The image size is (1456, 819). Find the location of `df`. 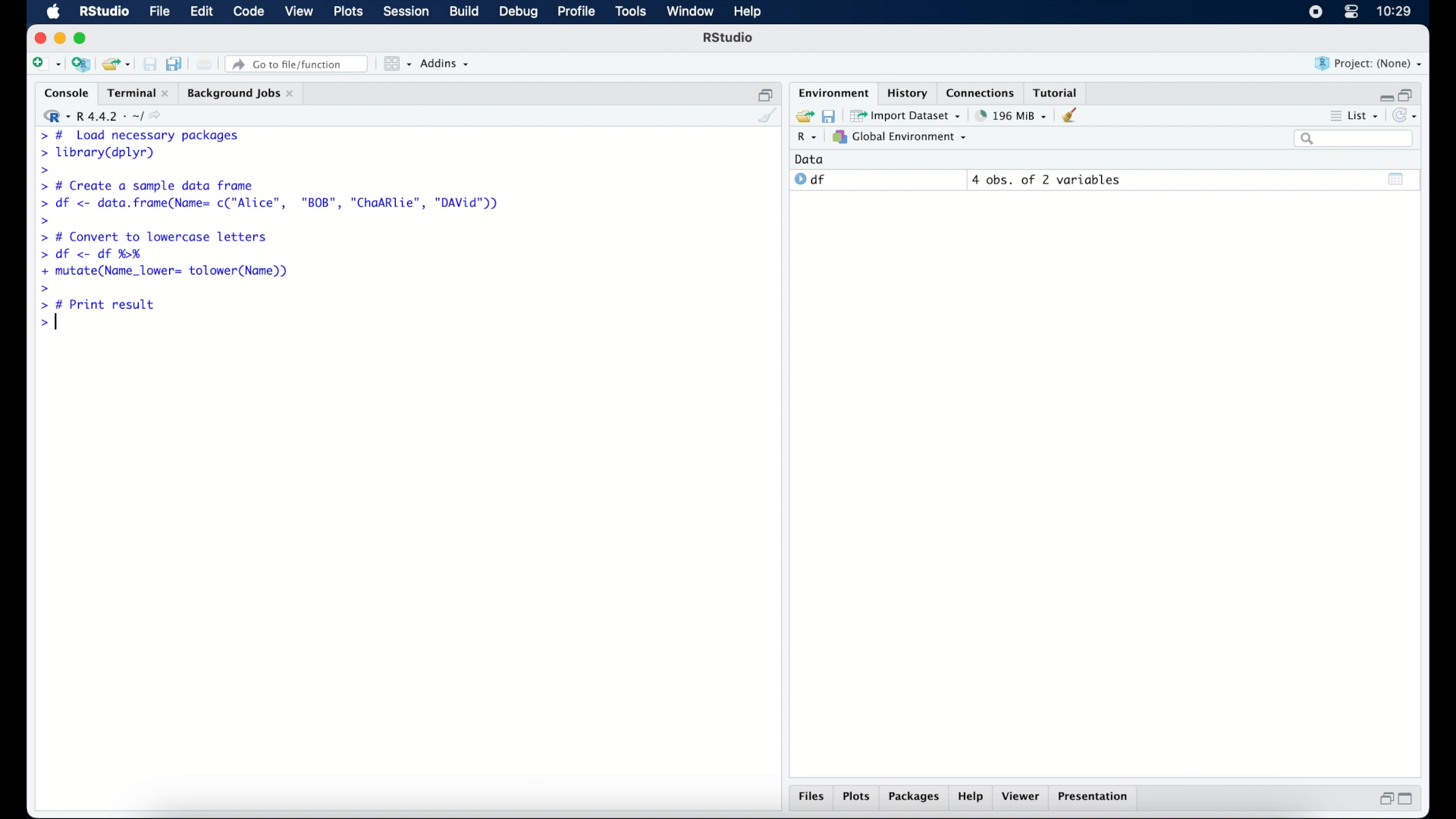

df is located at coordinates (810, 180).